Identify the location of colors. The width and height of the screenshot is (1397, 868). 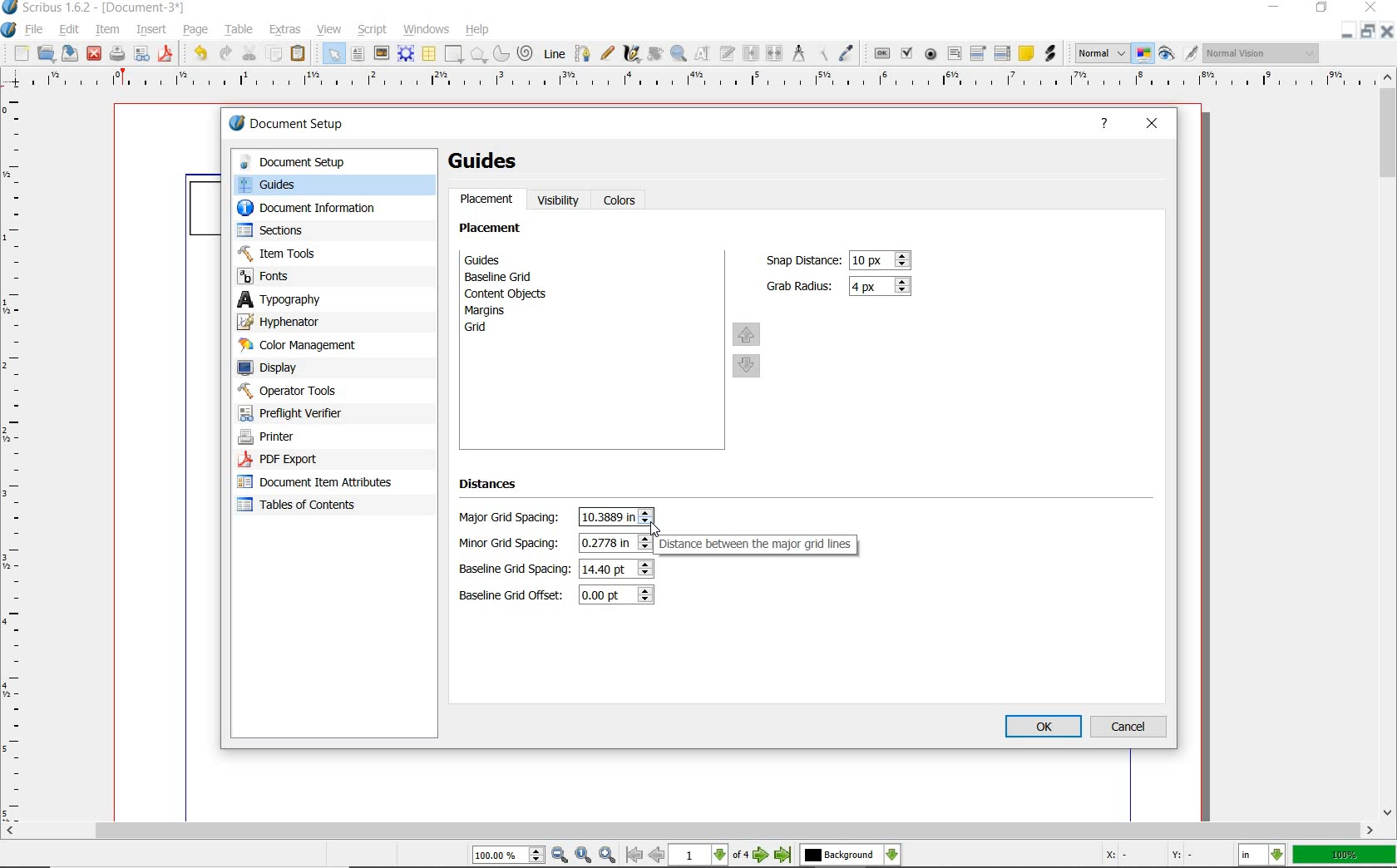
(622, 201).